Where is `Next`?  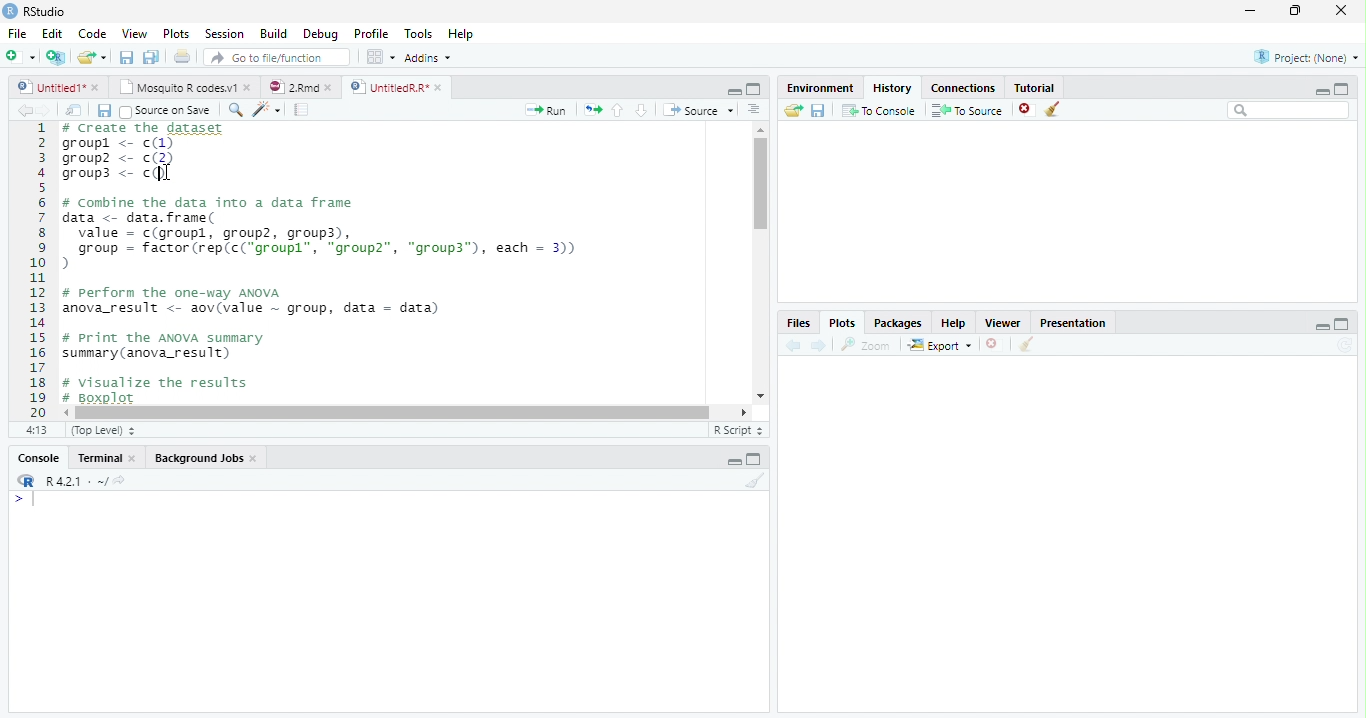
Next is located at coordinates (819, 346).